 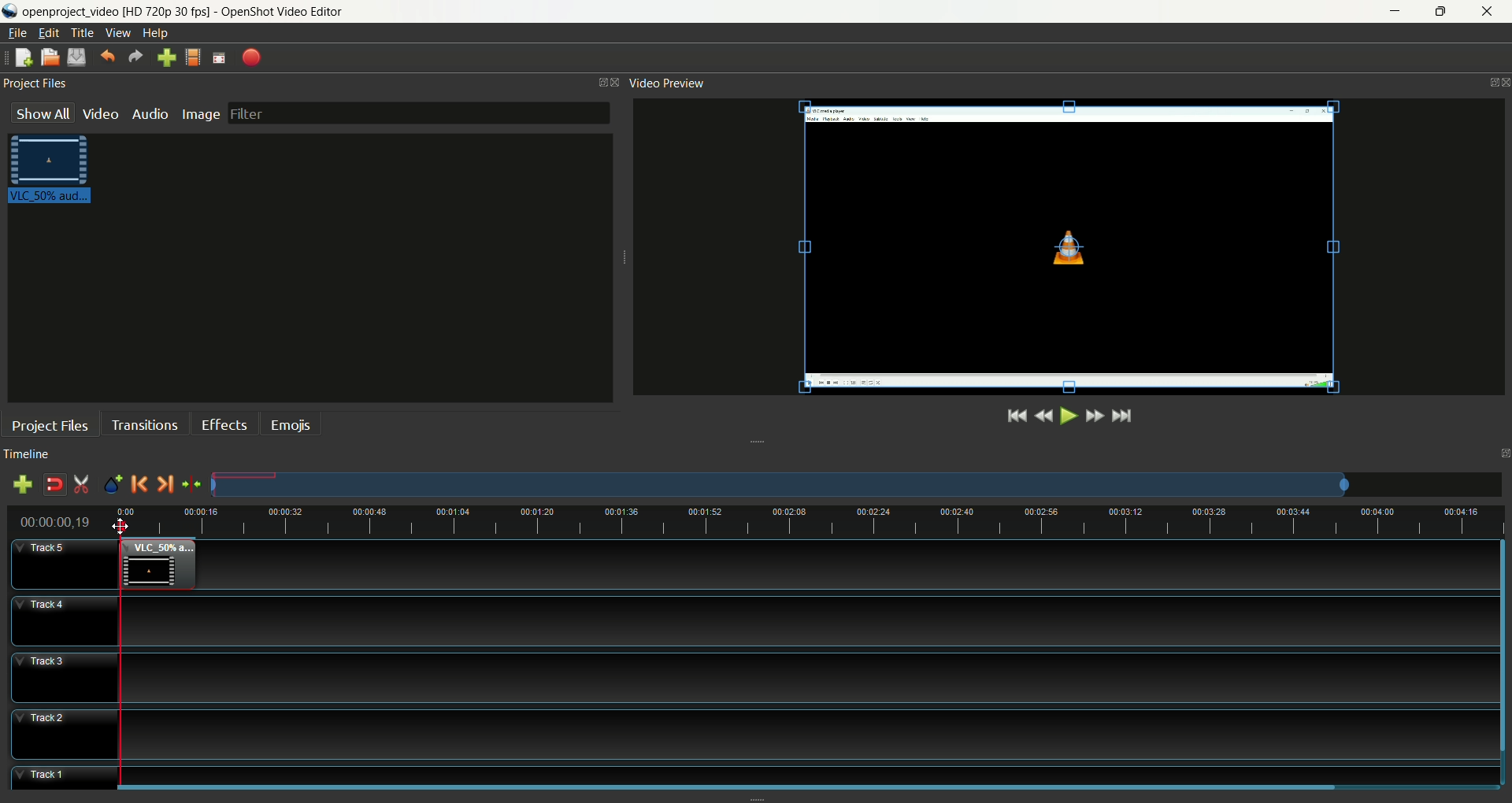 I want to click on track5, so click(x=65, y=566).